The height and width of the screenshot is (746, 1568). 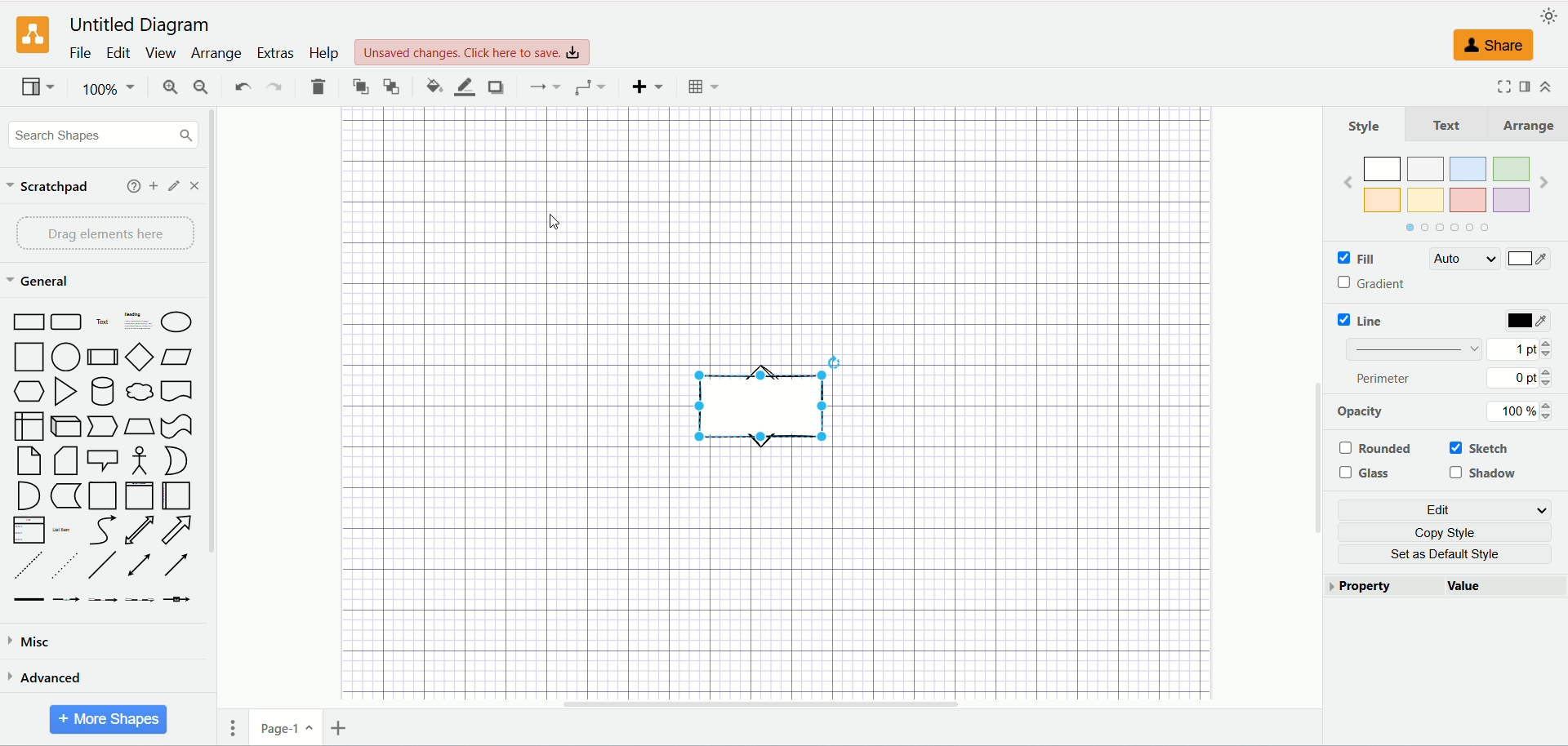 What do you see at coordinates (25, 600) in the screenshot?
I see `link` at bounding box center [25, 600].